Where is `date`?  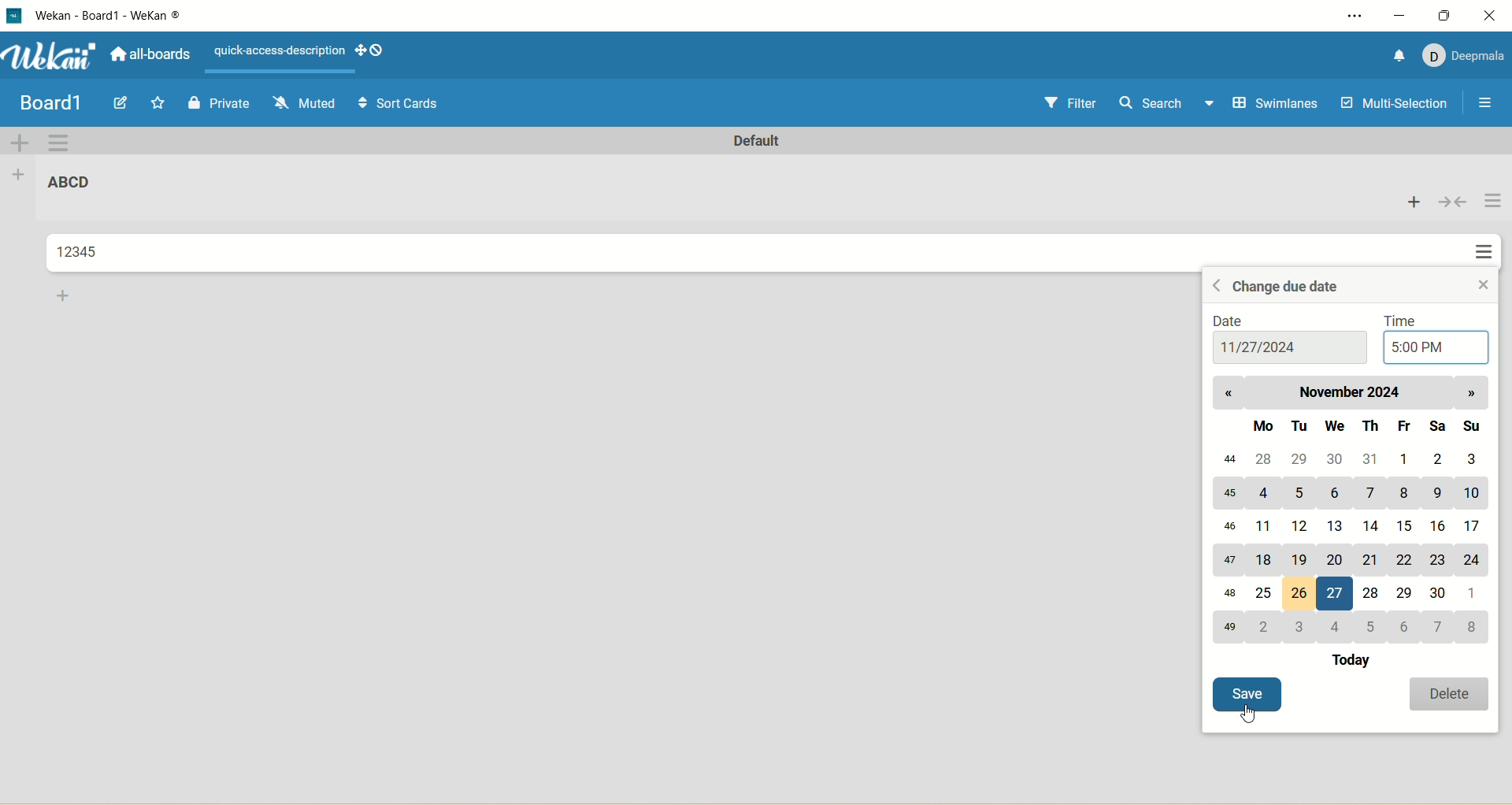
date is located at coordinates (1288, 348).